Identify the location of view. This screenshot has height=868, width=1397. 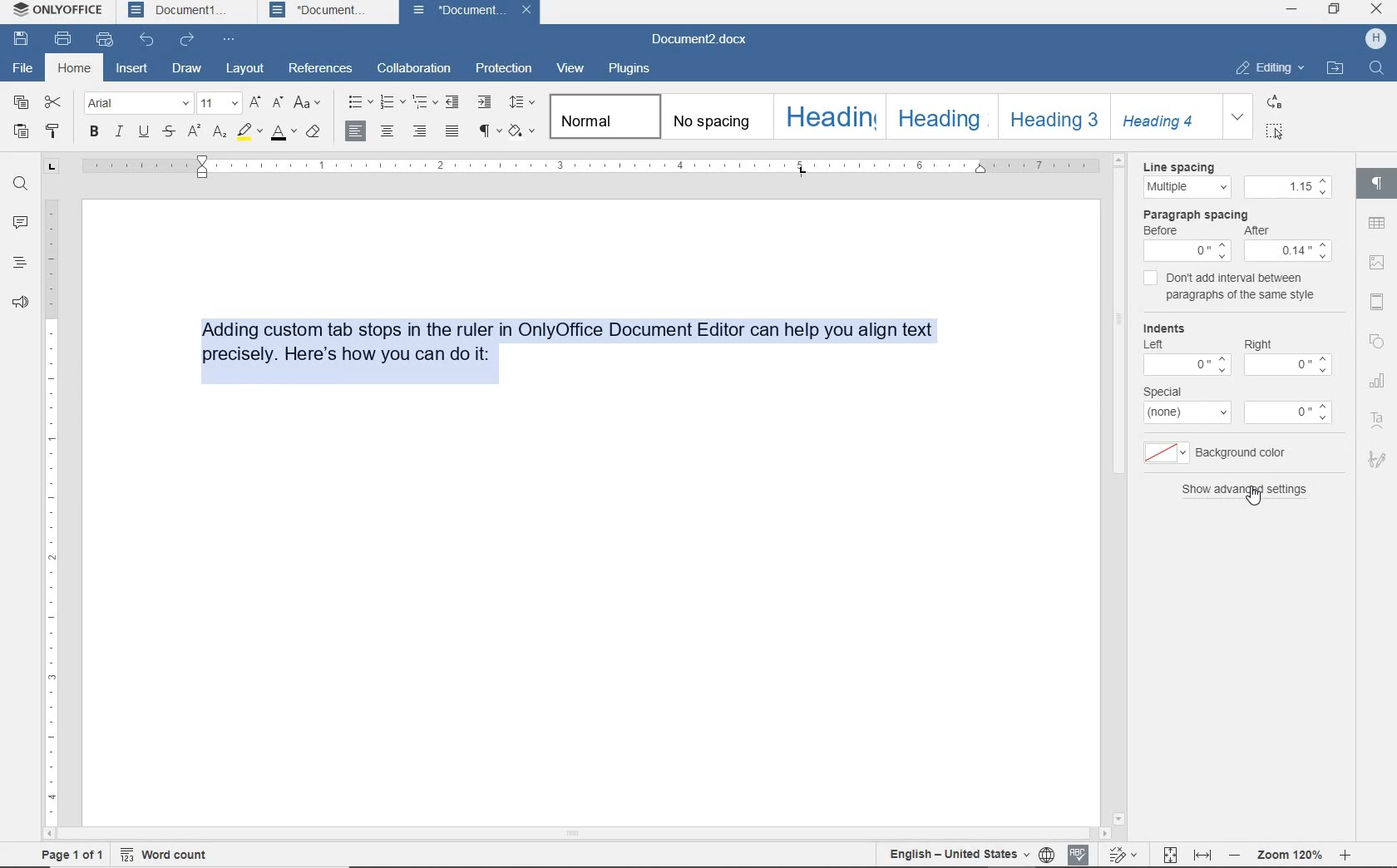
(568, 68).